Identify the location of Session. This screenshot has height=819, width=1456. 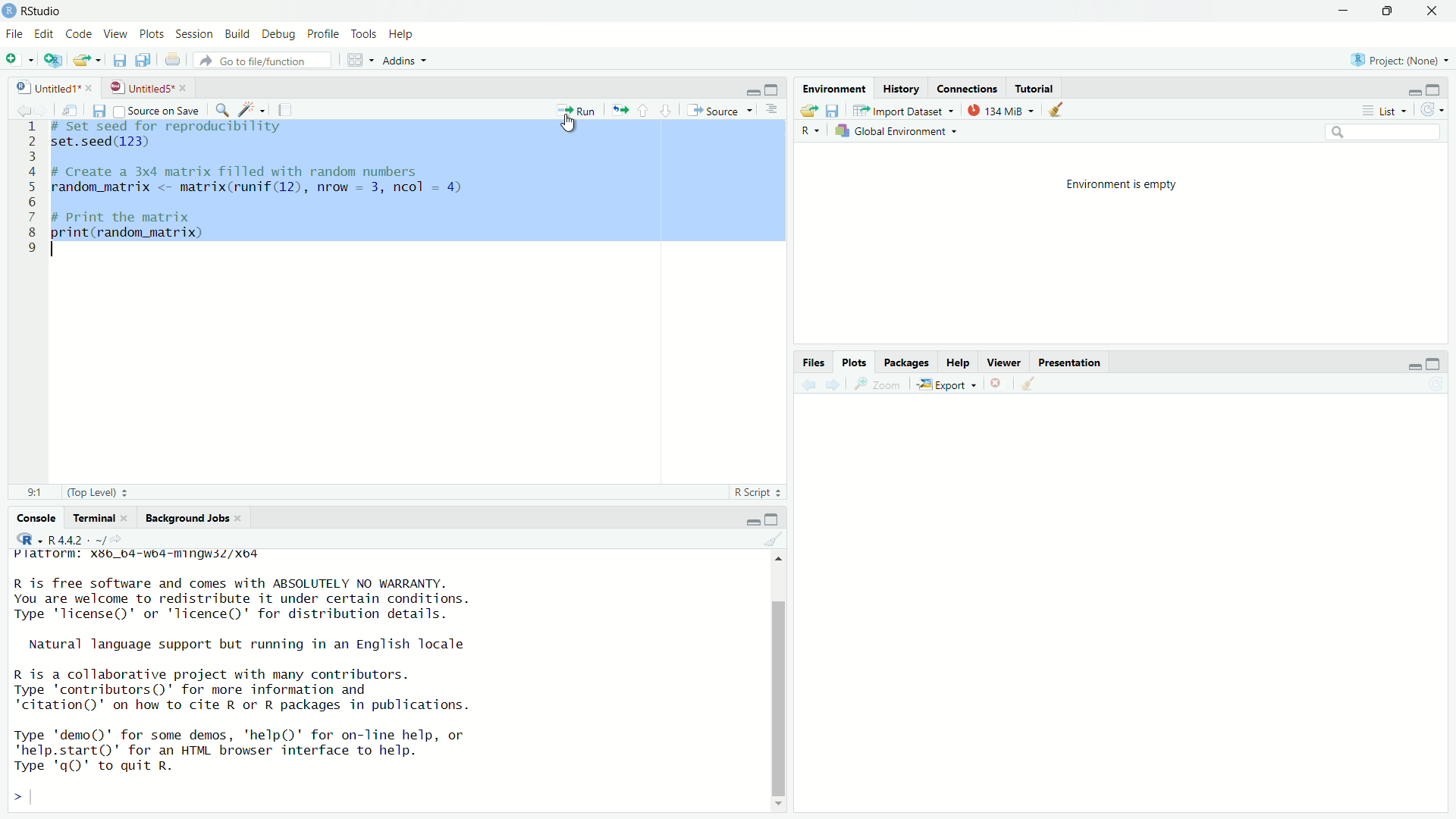
(199, 36).